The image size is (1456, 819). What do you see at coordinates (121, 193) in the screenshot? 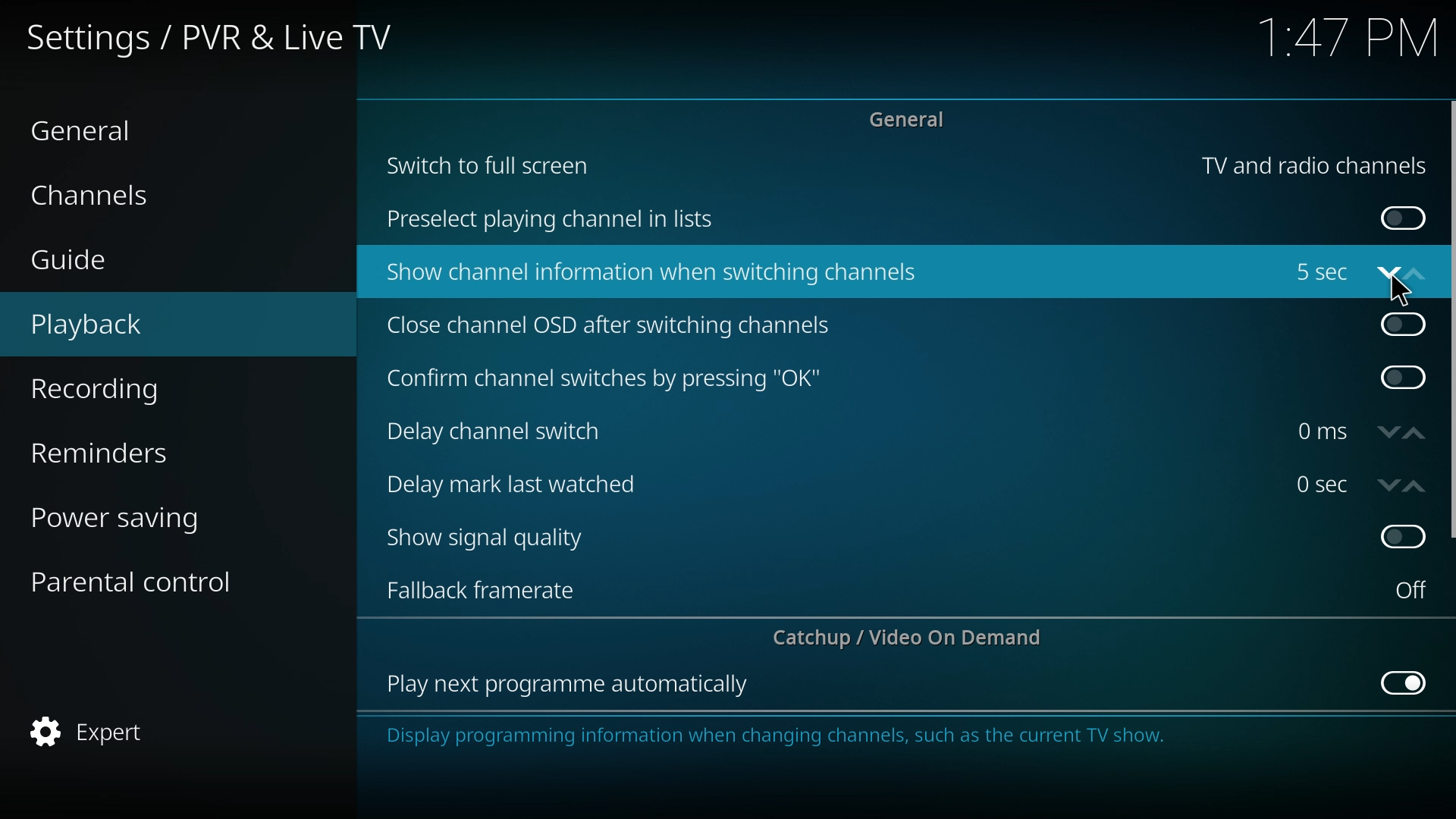
I see `channels` at bounding box center [121, 193].